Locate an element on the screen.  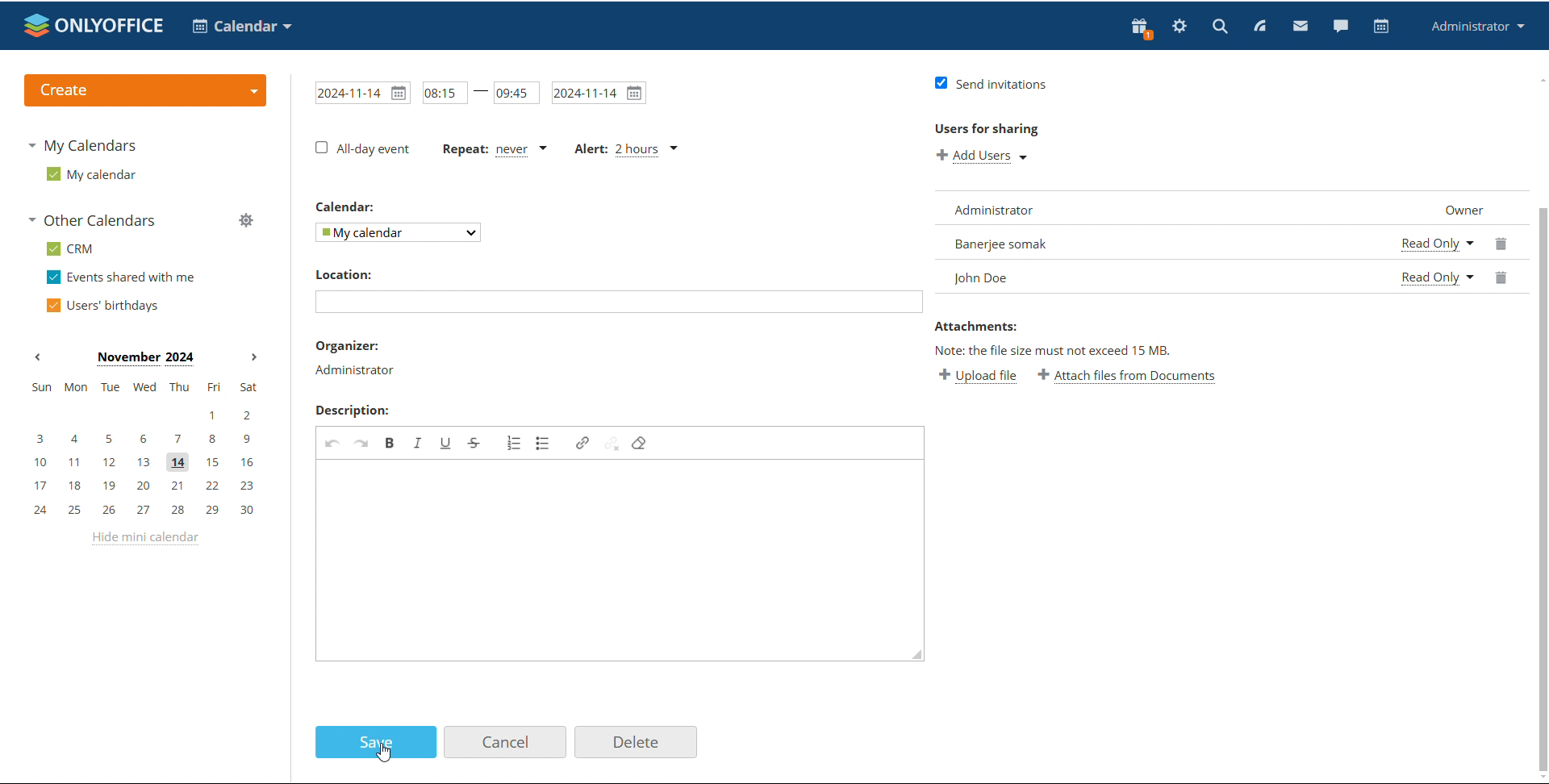
Undo is located at coordinates (332, 442).